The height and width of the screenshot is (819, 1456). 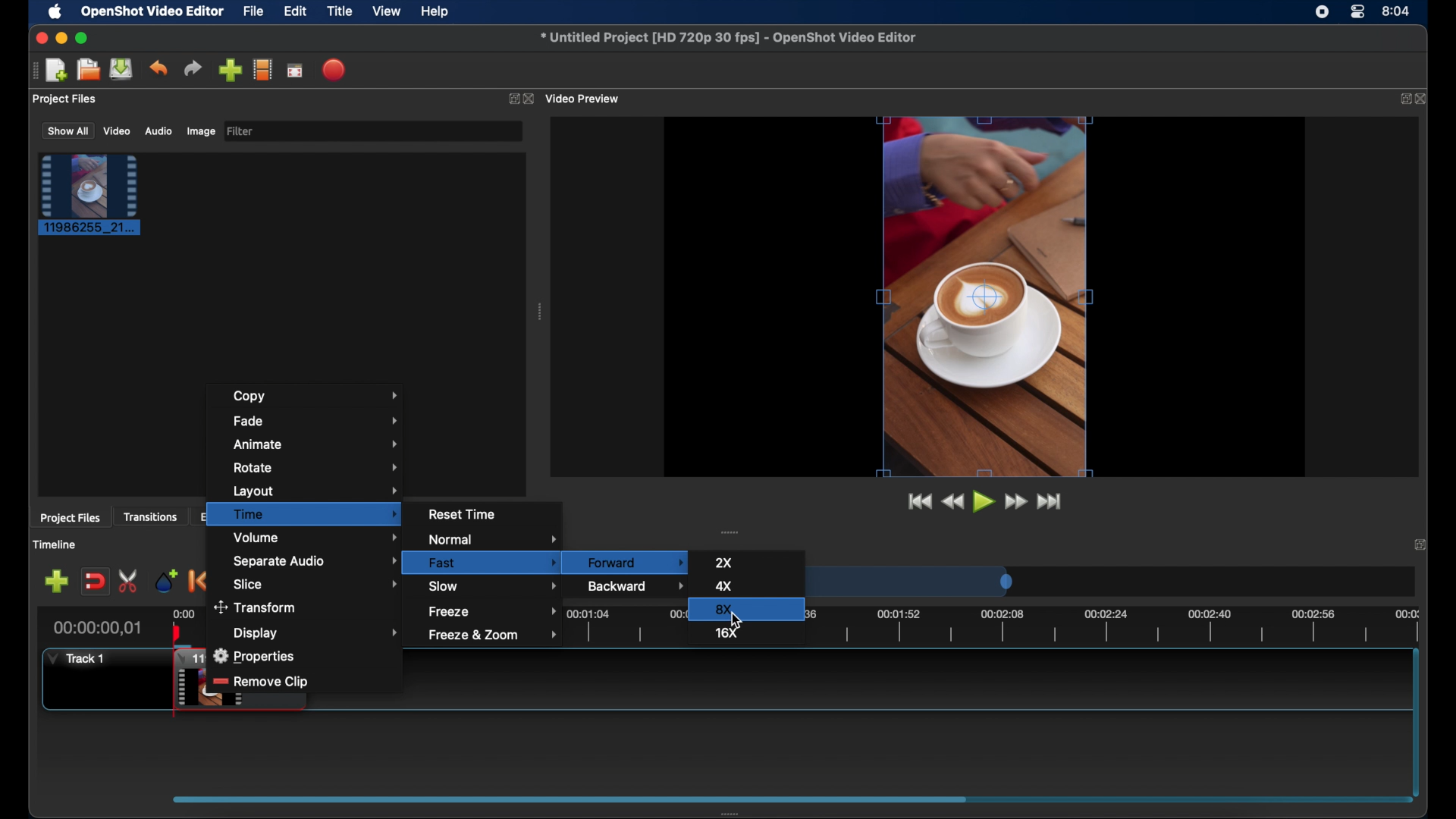 What do you see at coordinates (304, 514) in the screenshot?
I see `time menu highlighted` at bounding box center [304, 514].